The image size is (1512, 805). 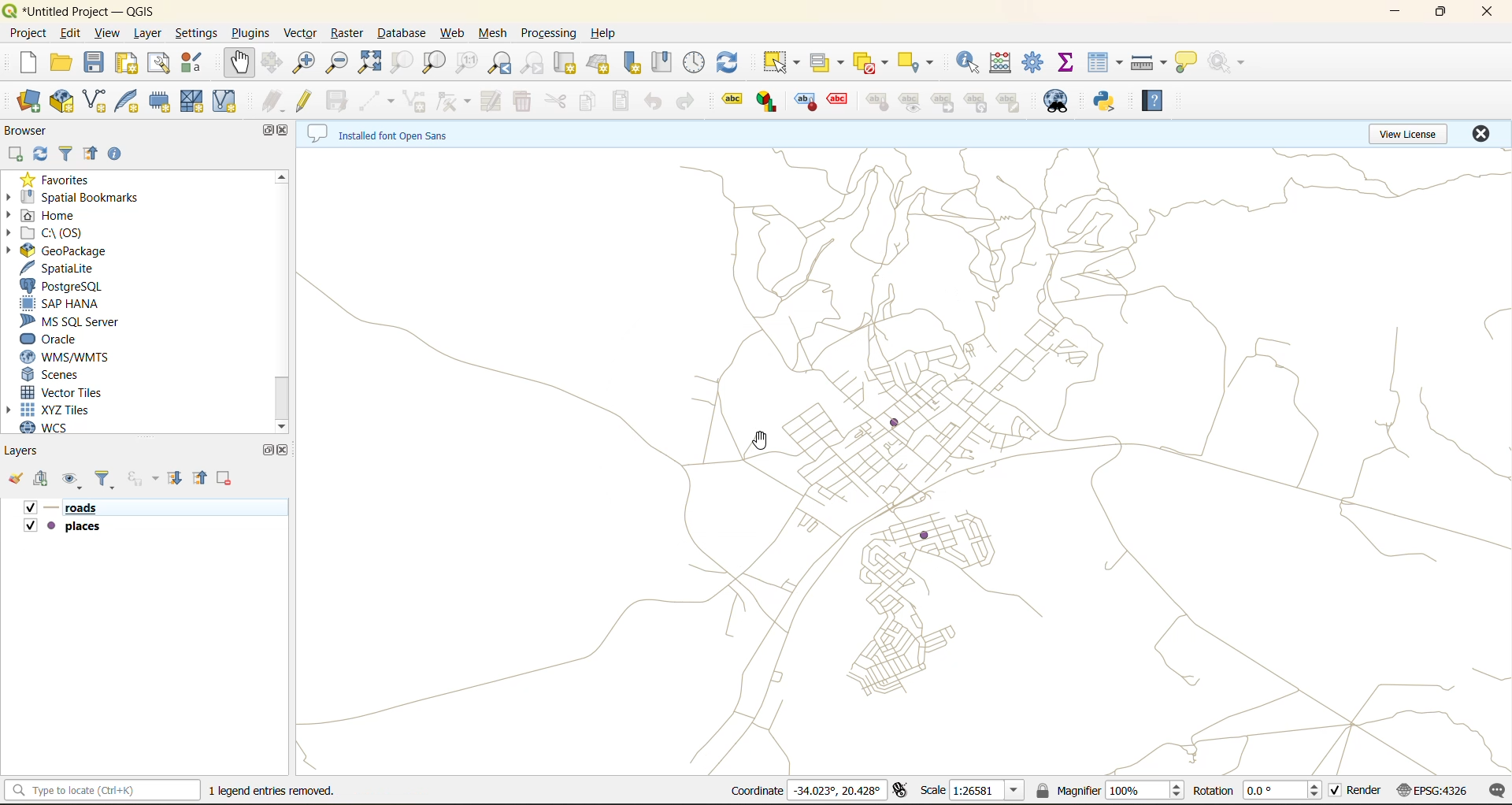 I want to click on metasearch, so click(x=1054, y=106).